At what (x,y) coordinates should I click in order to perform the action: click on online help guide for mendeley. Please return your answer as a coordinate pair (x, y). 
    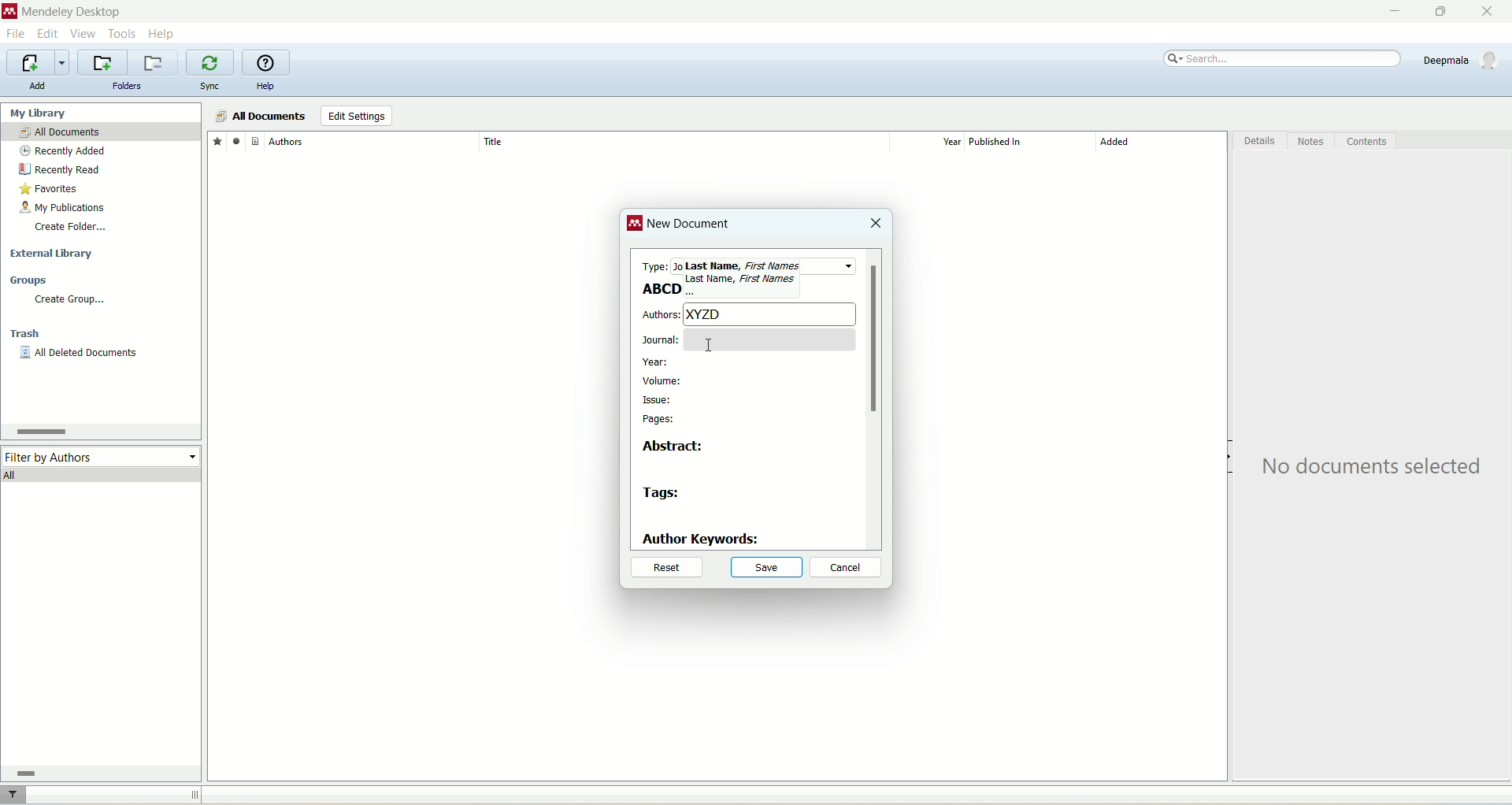
    Looking at the image, I should click on (267, 63).